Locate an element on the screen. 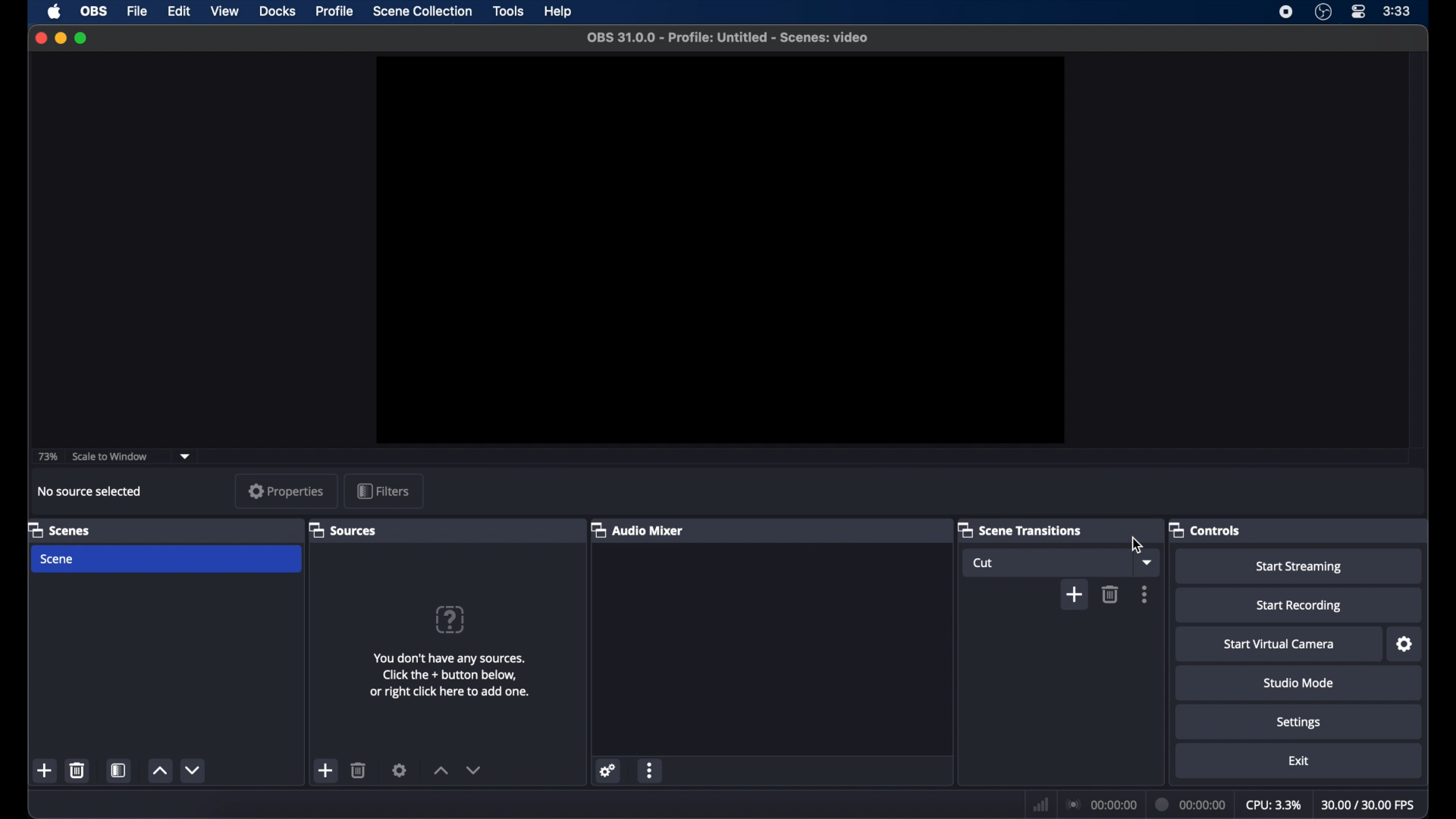 This screenshot has height=819, width=1456. dropdown is located at coordinates (1150, 563).